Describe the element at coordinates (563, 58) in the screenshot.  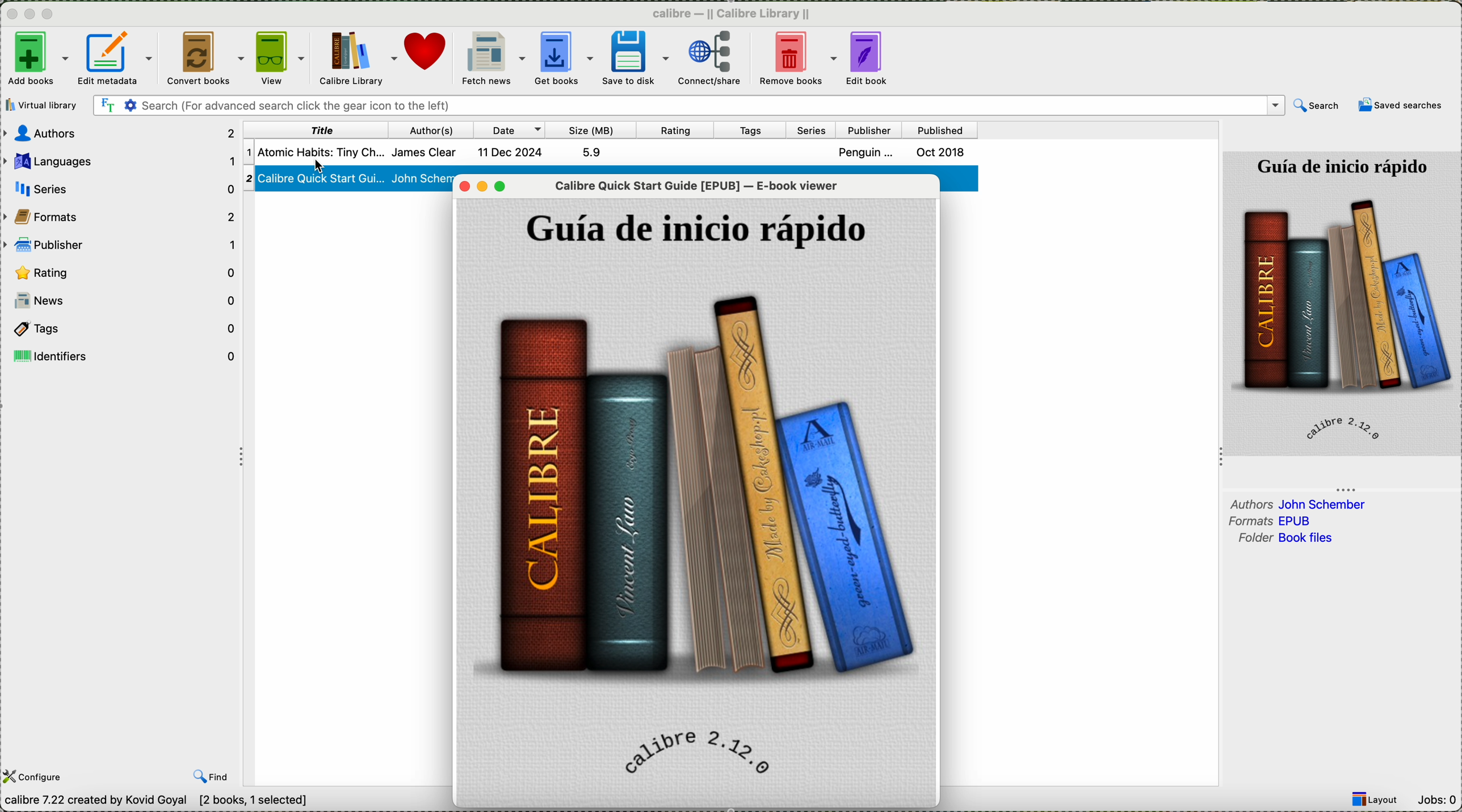
I see `get books` at that location.